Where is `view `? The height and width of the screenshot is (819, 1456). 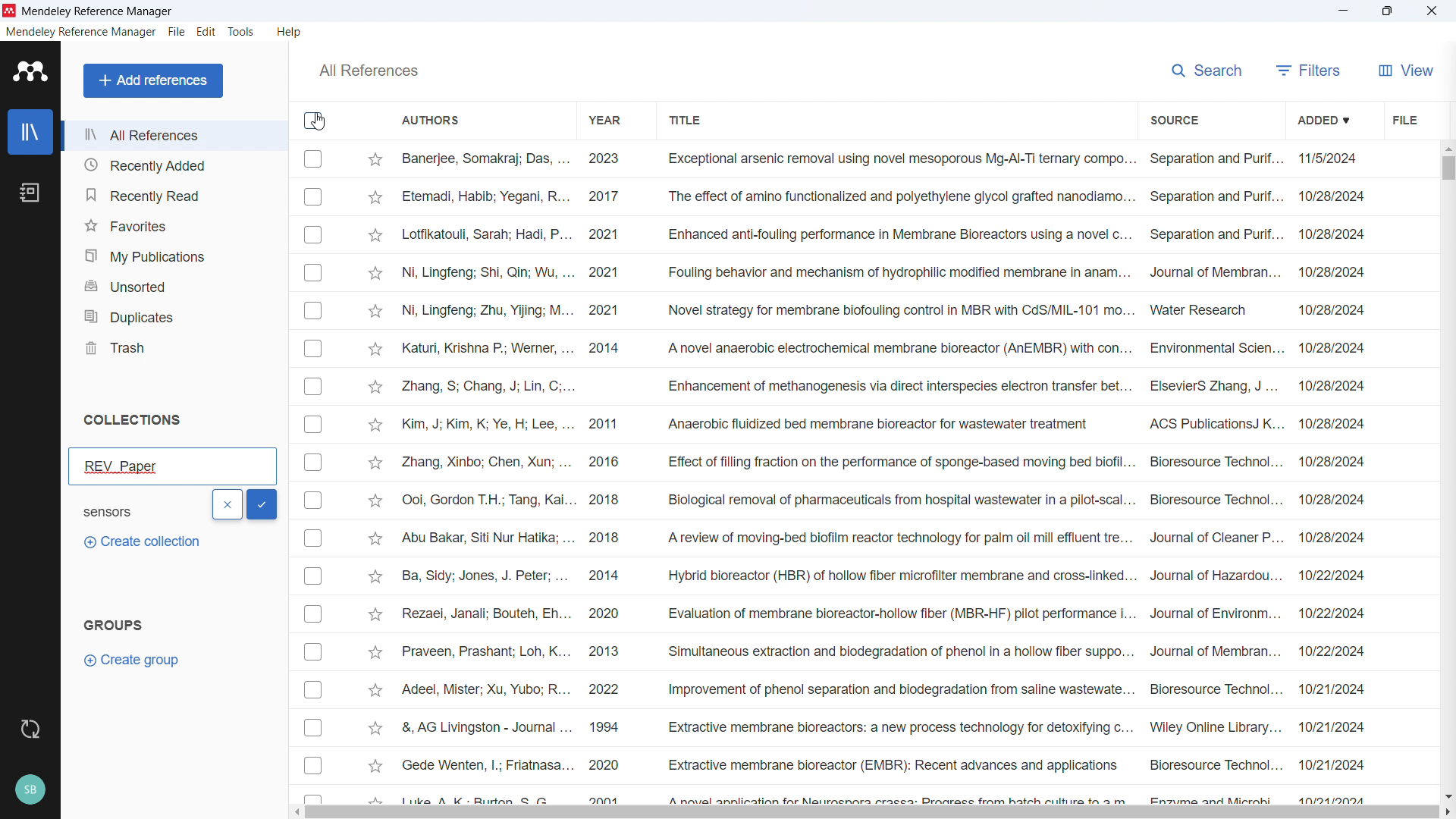 view  is located at coordinates (1404, 68).